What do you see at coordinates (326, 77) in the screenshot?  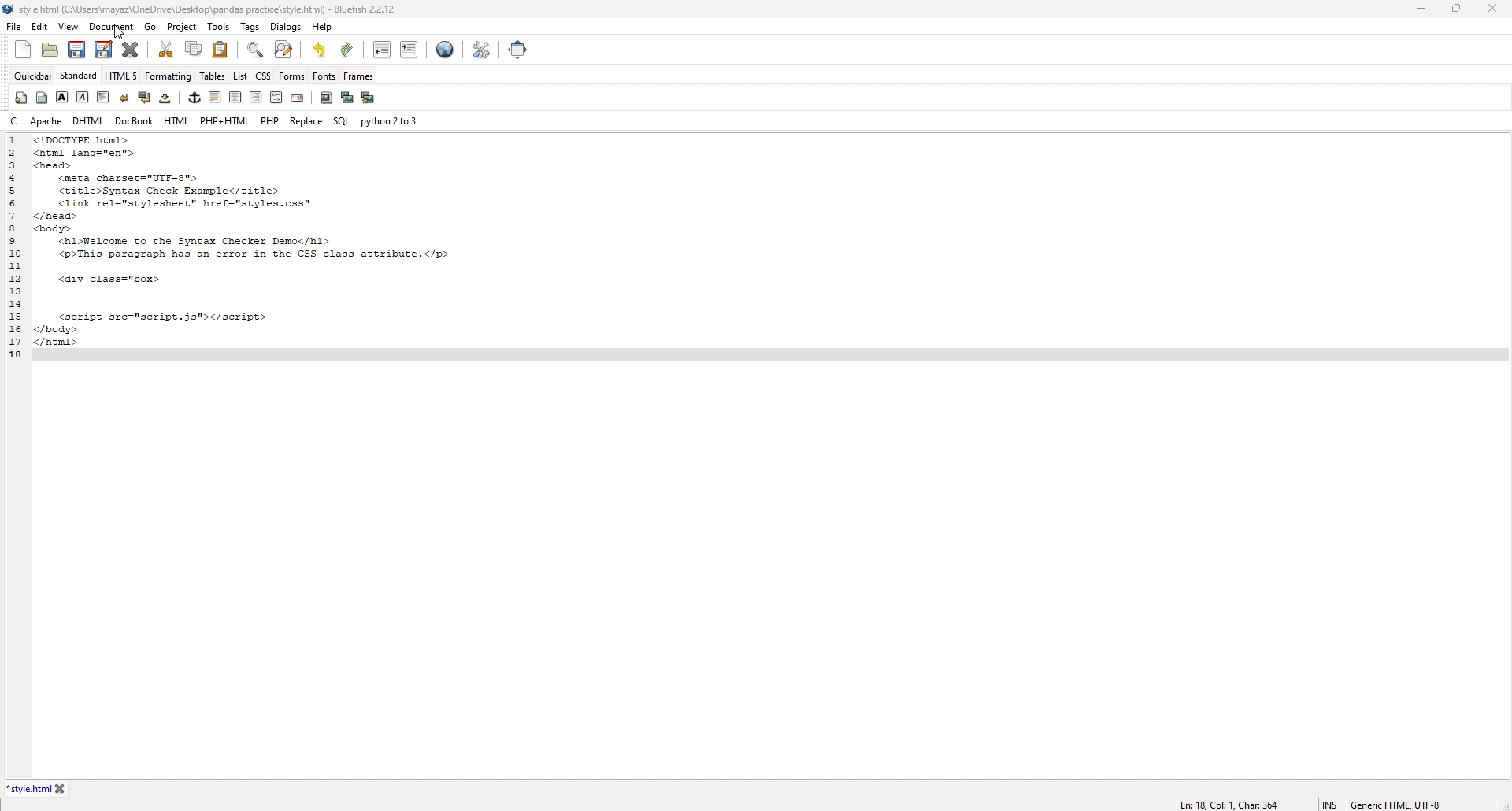 I see `fonts` at bounding box center [326, 77].